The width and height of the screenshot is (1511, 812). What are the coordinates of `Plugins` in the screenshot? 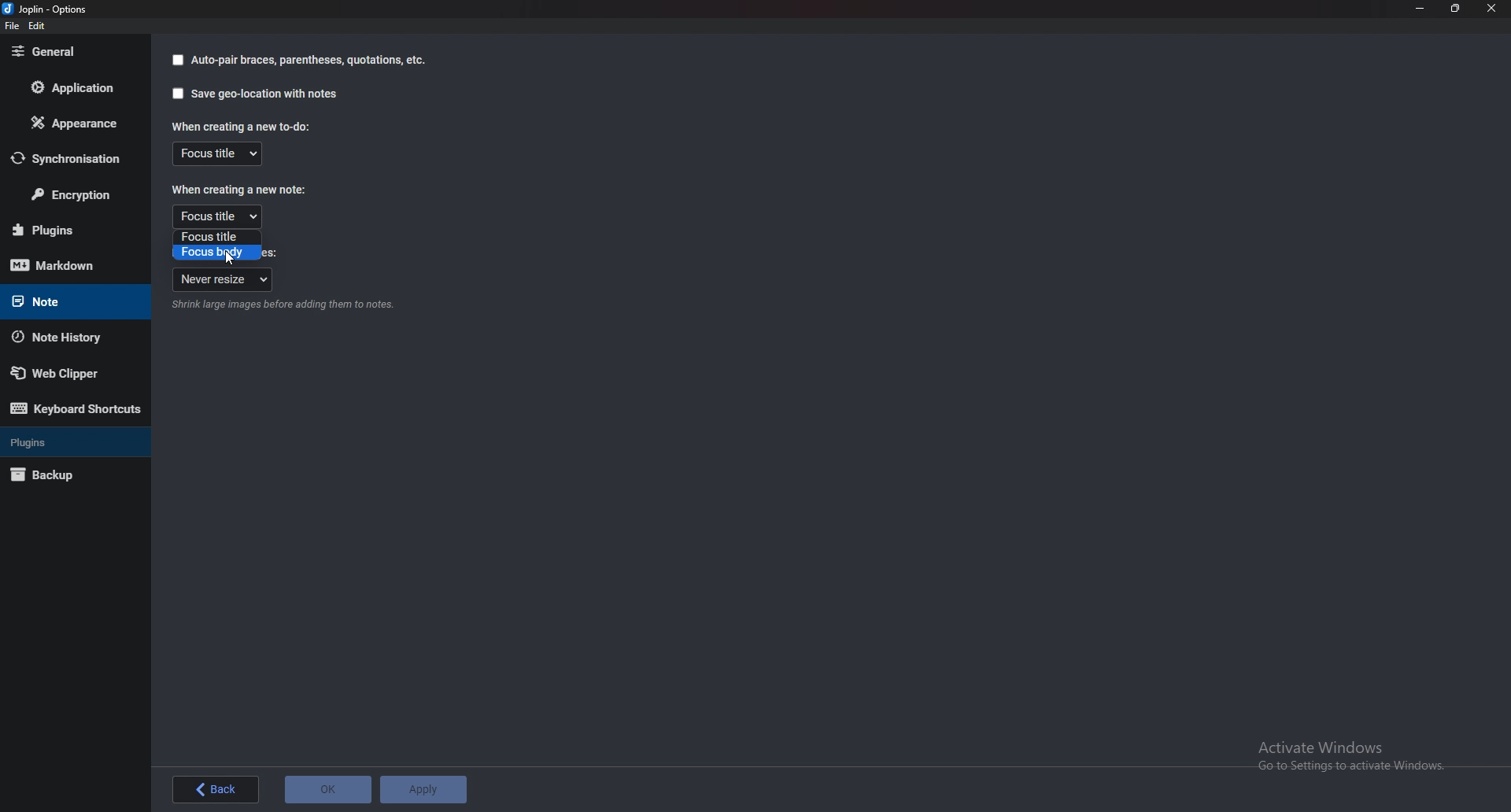 It's located at (66, 230).